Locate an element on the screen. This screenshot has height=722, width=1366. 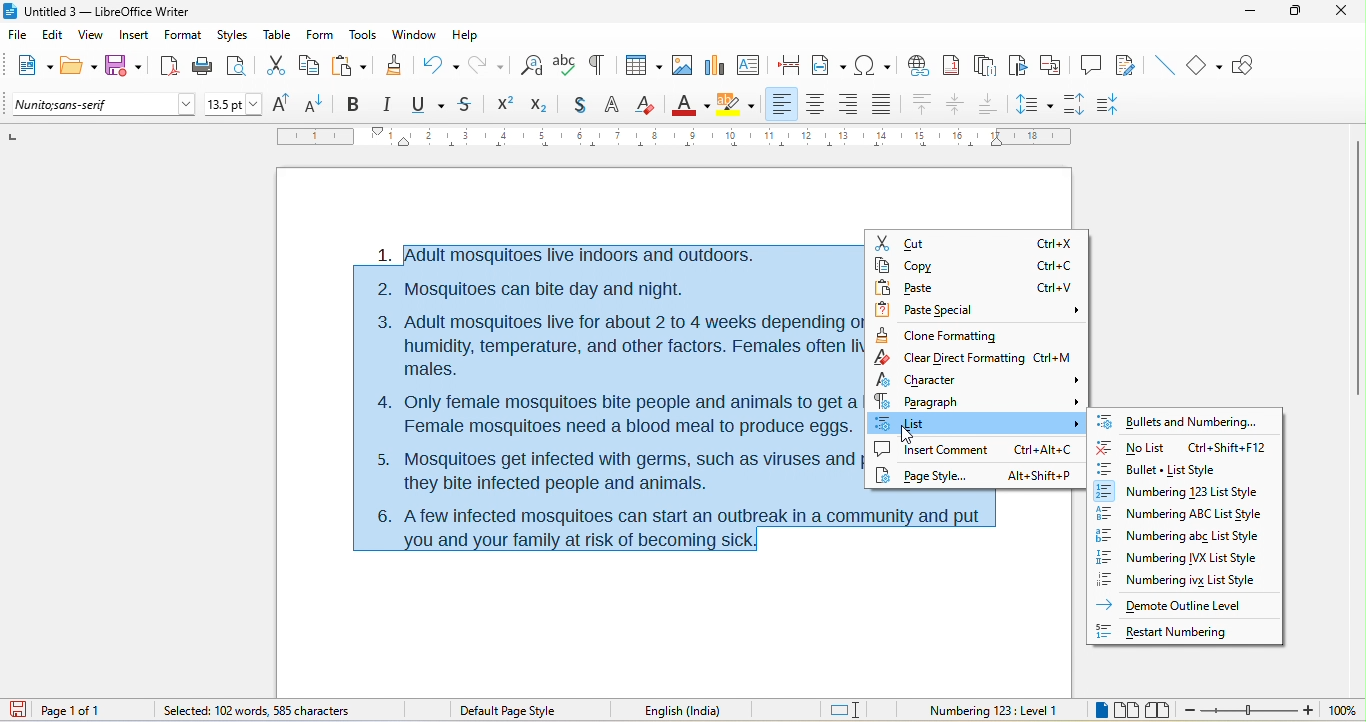
format is located at coordinates (181, 36).